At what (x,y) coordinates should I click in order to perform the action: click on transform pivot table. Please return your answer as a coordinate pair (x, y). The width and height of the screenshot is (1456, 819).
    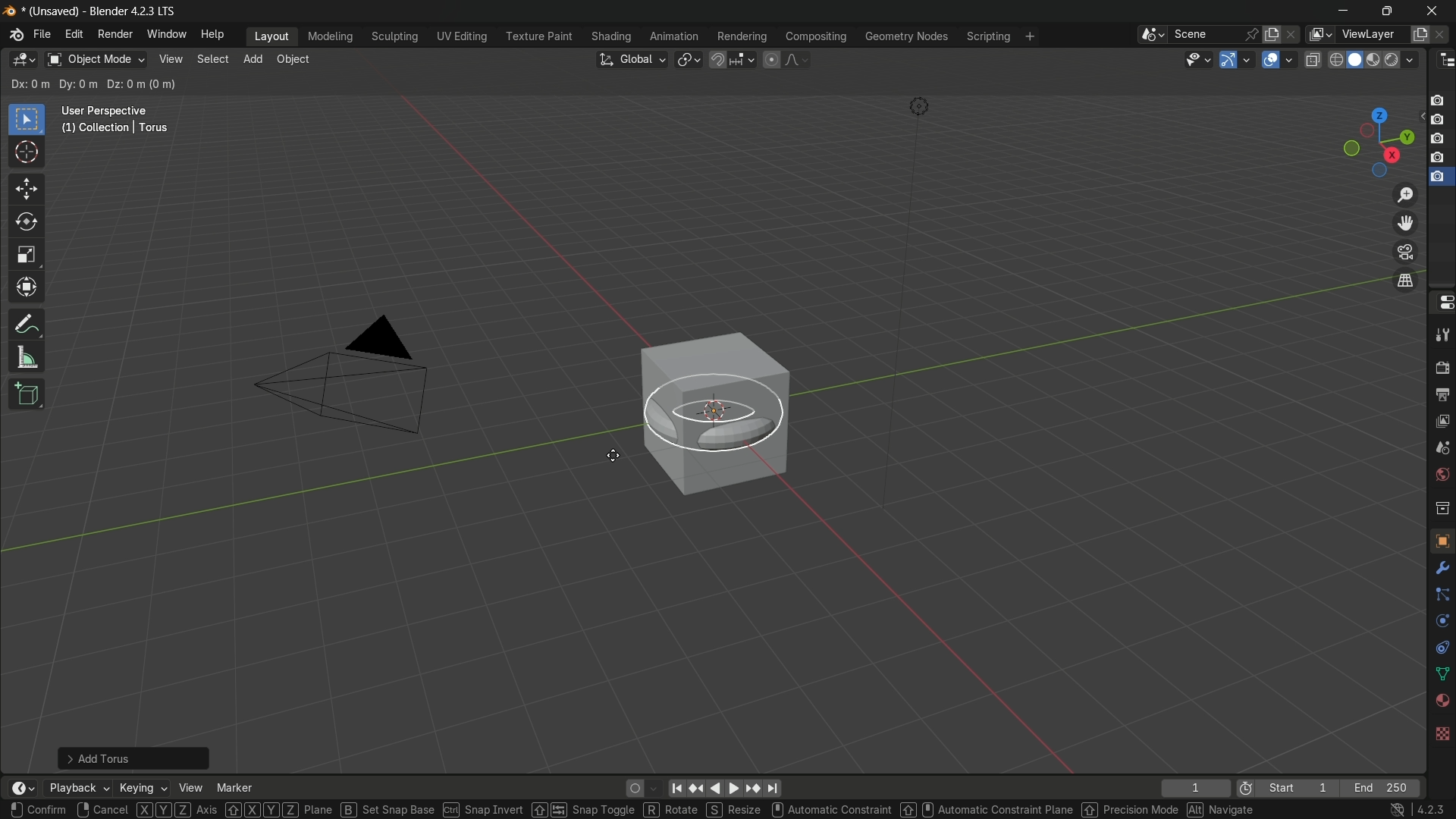
    Looking at the image, I should click on (688, 58).